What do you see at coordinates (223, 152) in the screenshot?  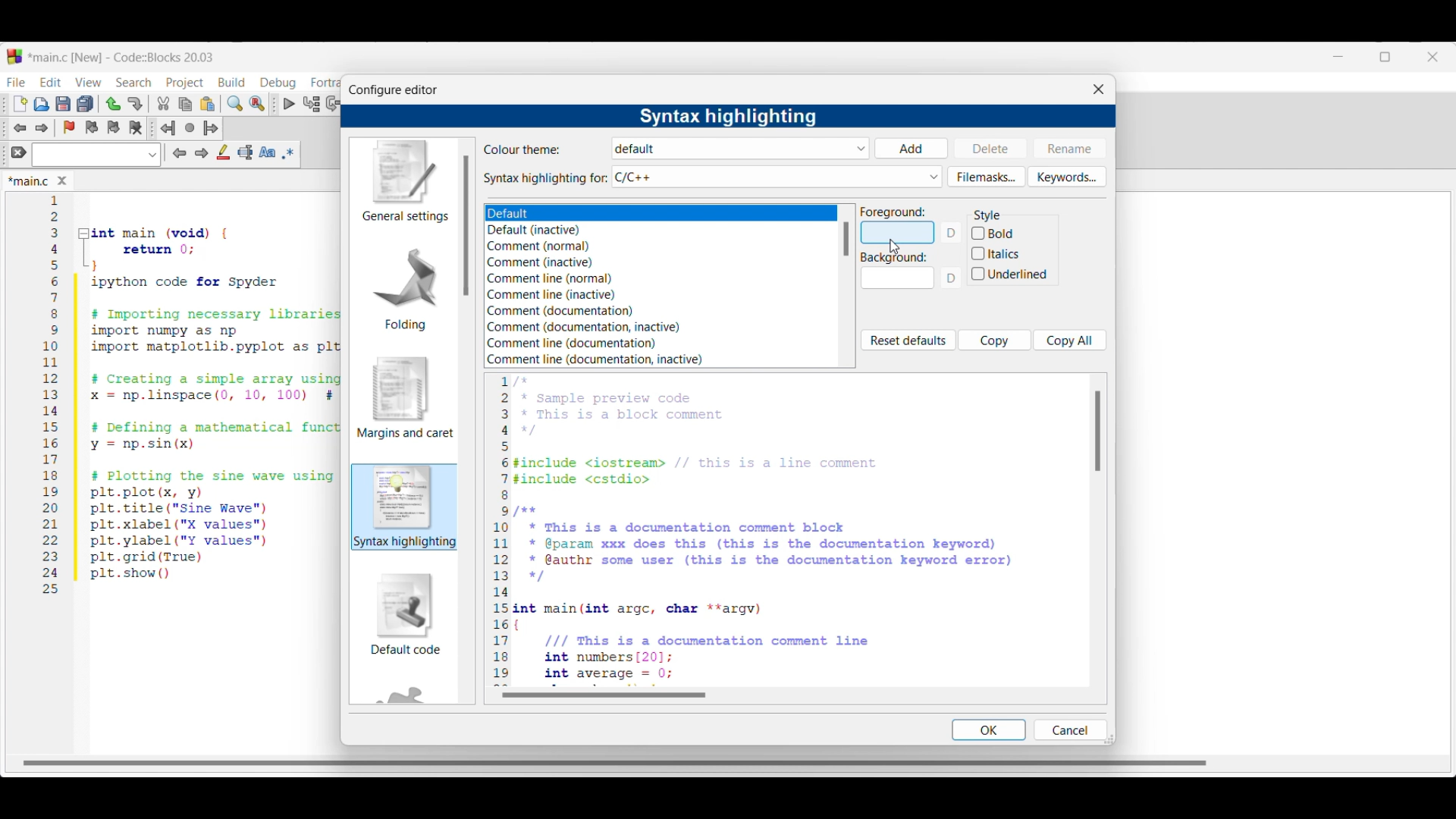 I see `Highlight` at bounding box center [223, 152].